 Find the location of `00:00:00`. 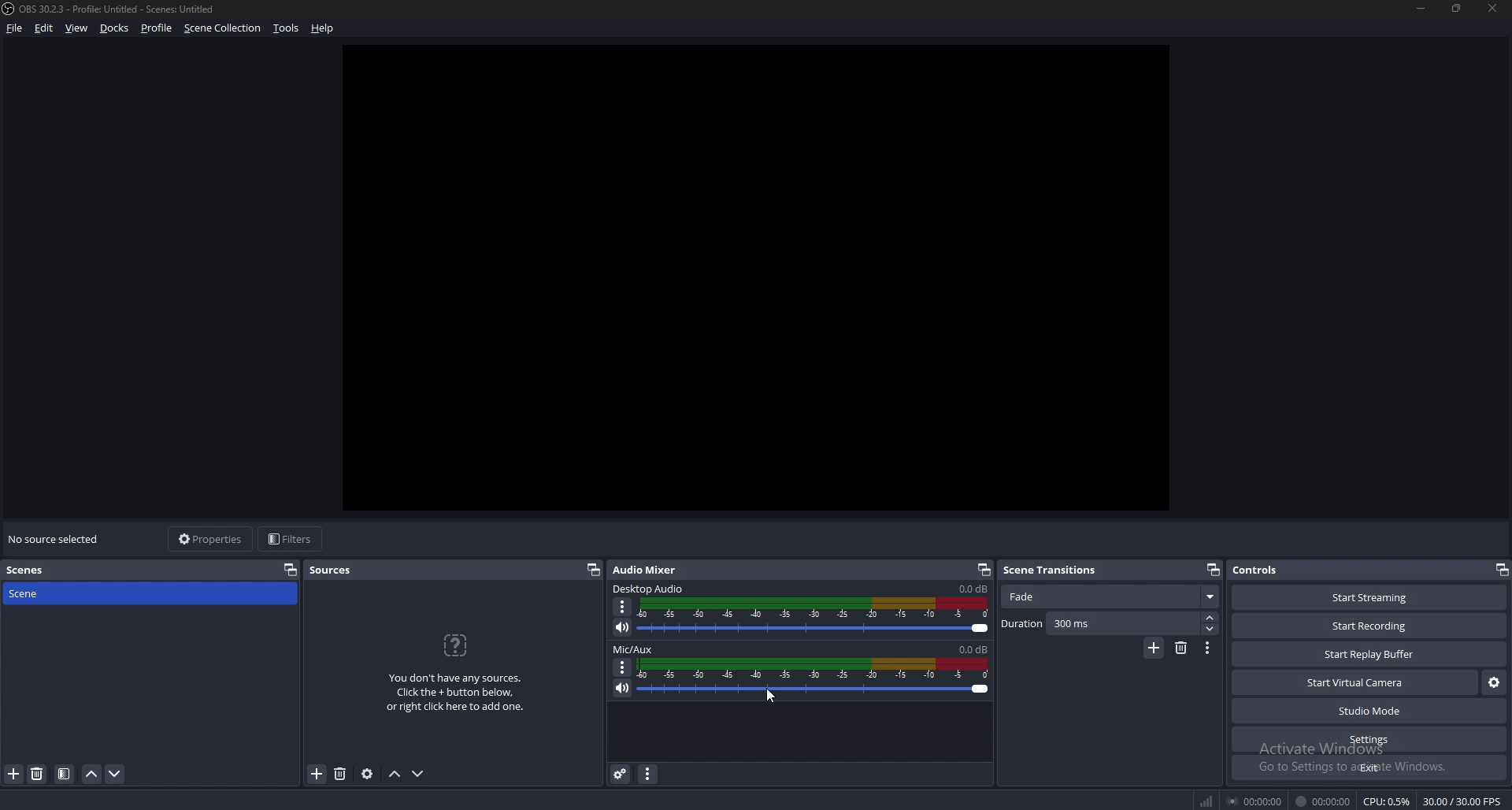

00:00:00 is located at coordinates (1322, 802).